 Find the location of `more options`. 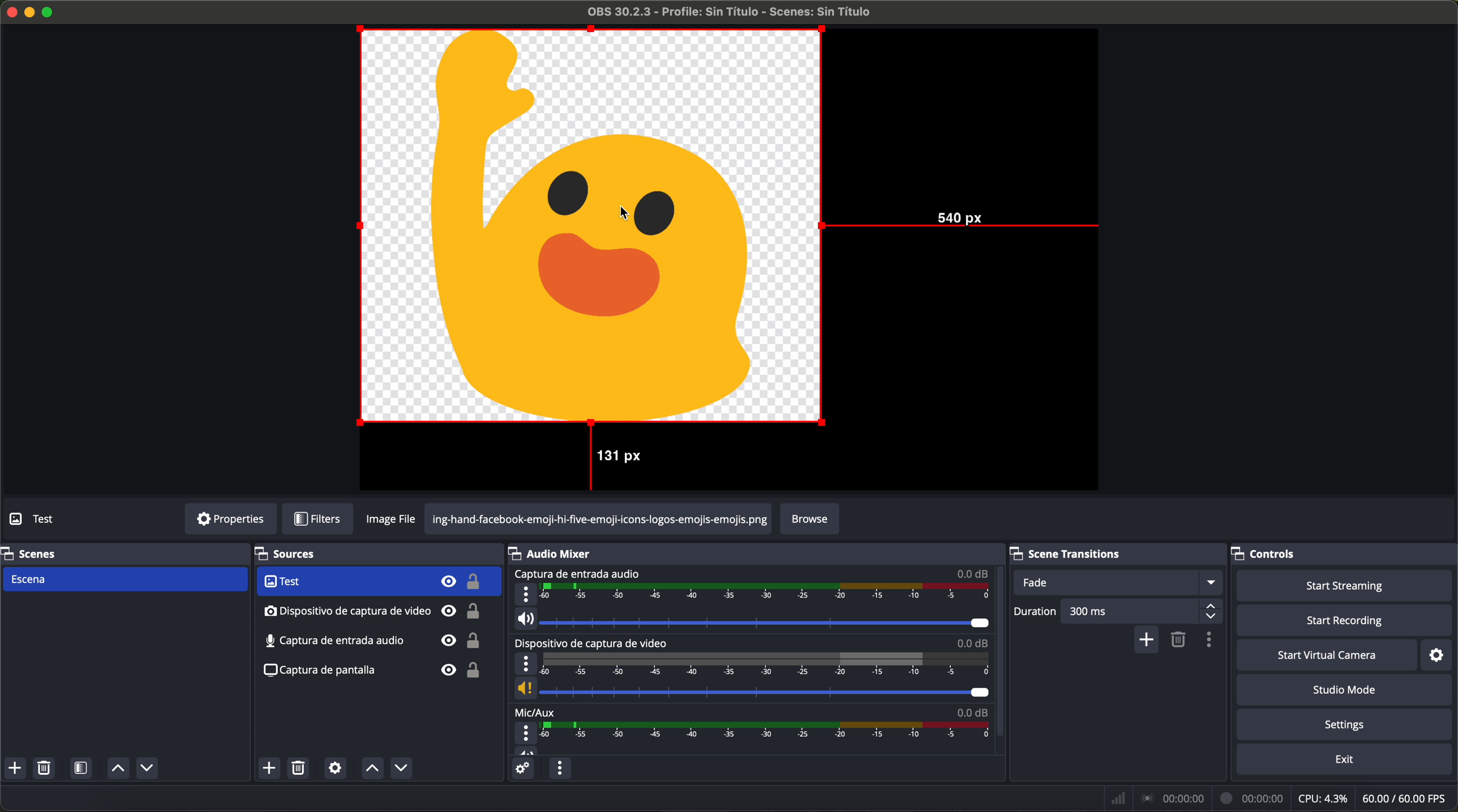

more options is located at coordinates (527, 733).